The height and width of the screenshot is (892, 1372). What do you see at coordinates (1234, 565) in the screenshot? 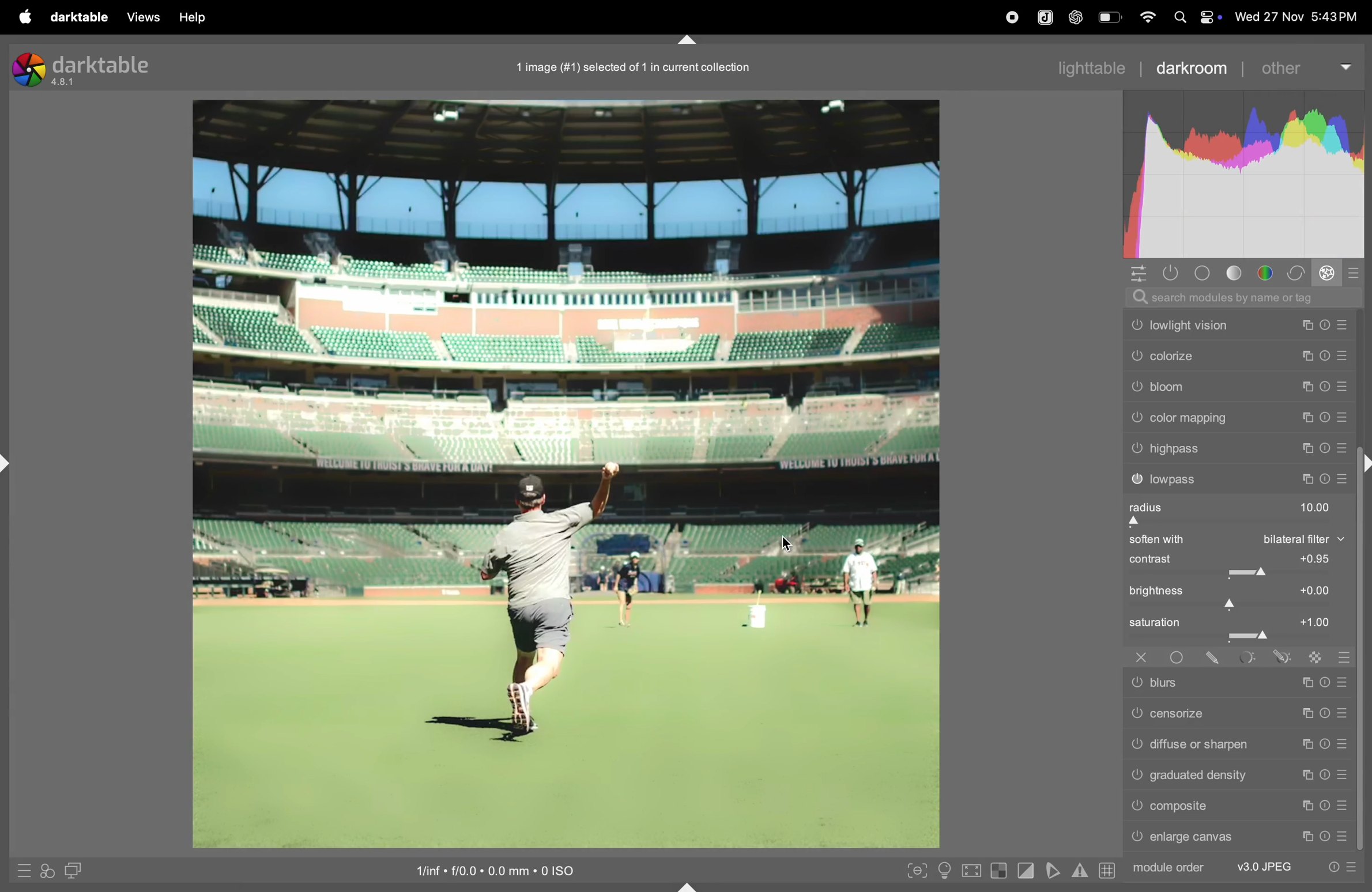
I see `contrast` at bounding box center [1234, 565].